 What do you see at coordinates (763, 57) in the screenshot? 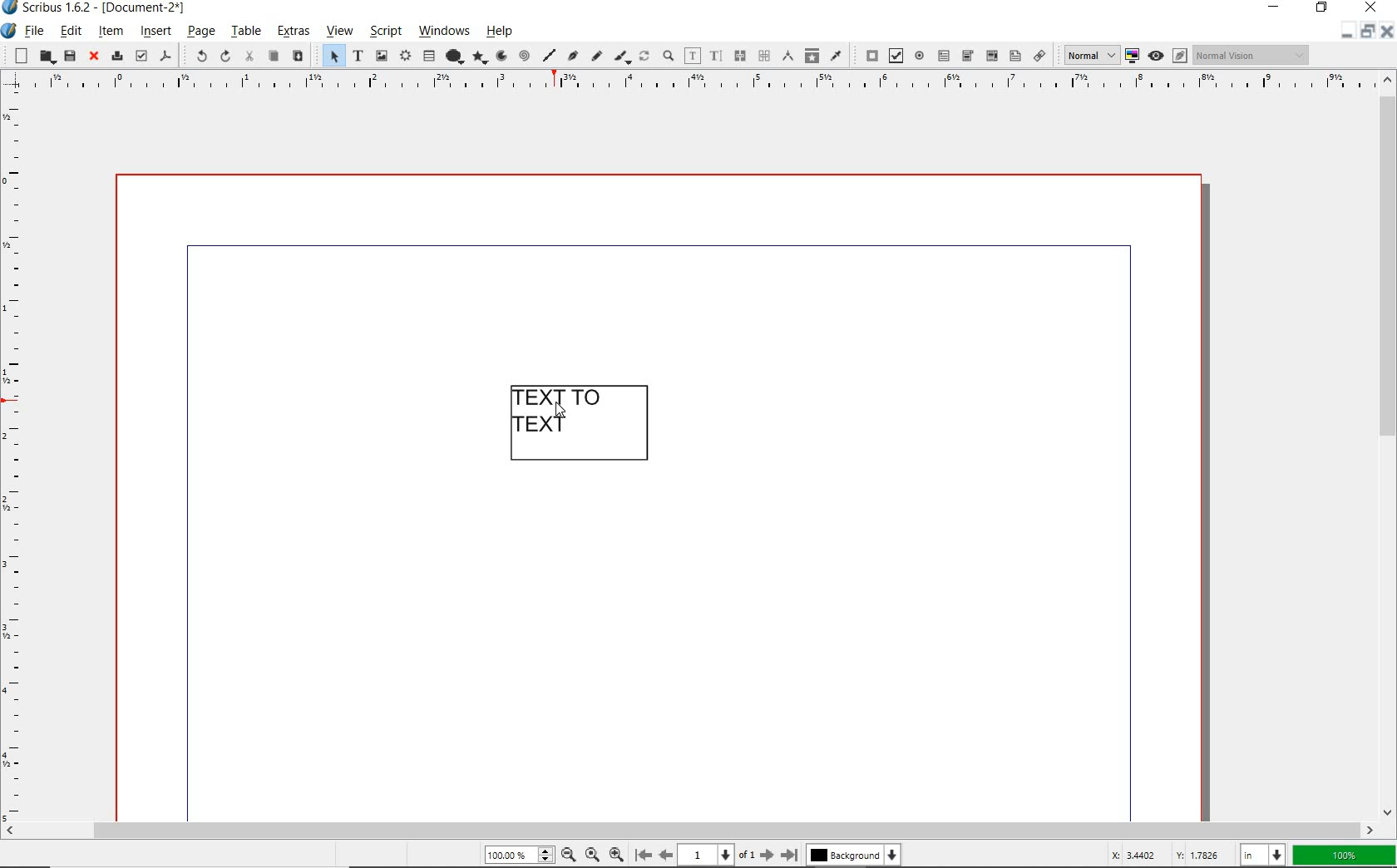
I see `unlink text frames` at bounding box center [763, 57].